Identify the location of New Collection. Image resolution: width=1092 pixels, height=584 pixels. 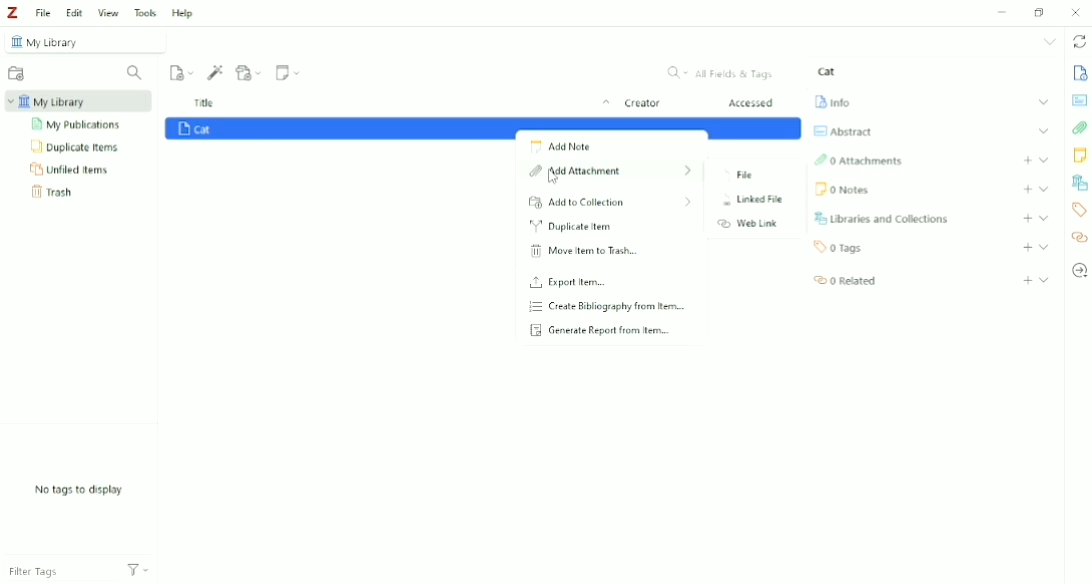
(17, 75).